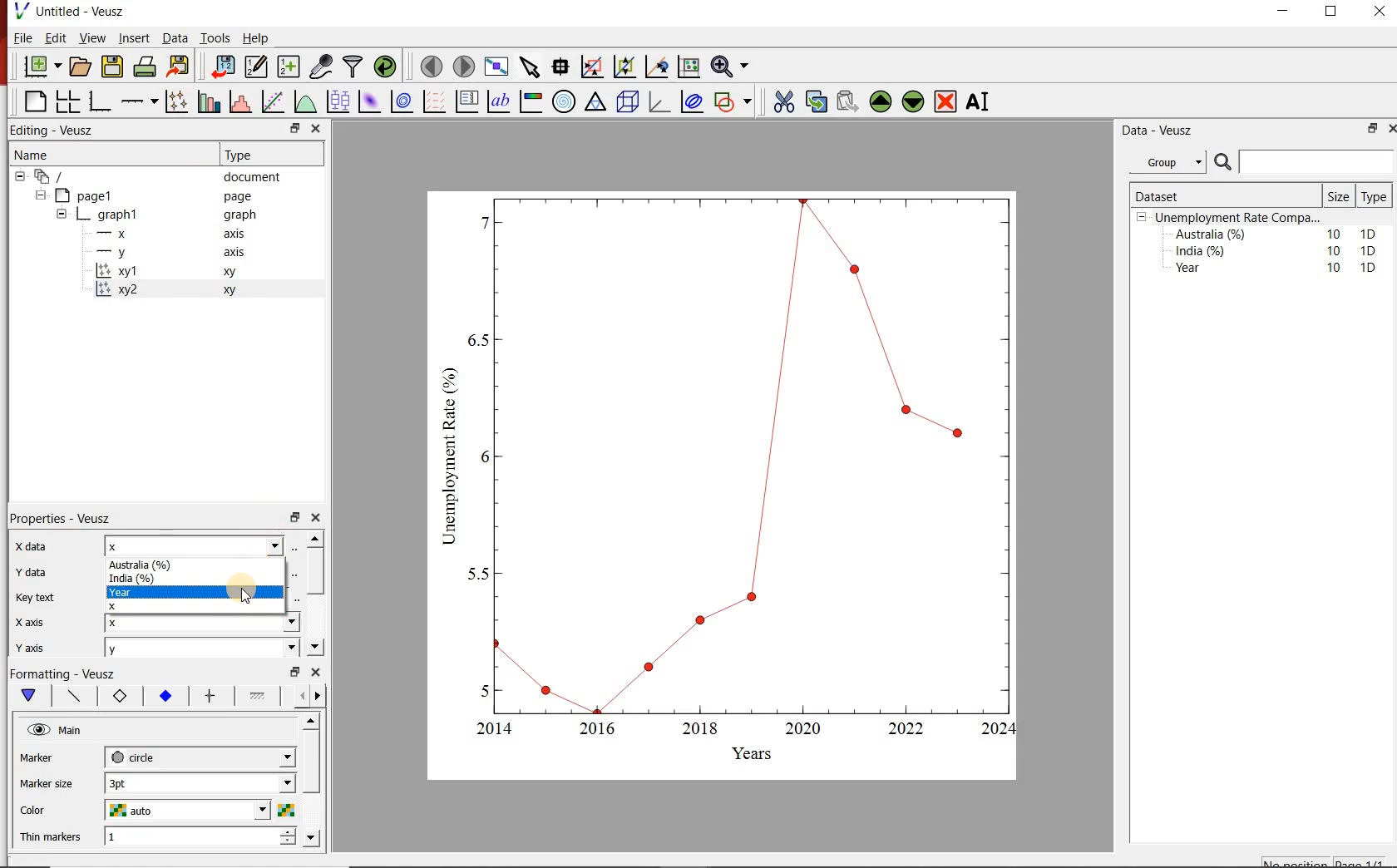 The width and height of the screenshot is (1397, 868). Describe the element at coordinates (197, 545) in the screenshot. I see `x` at that location.